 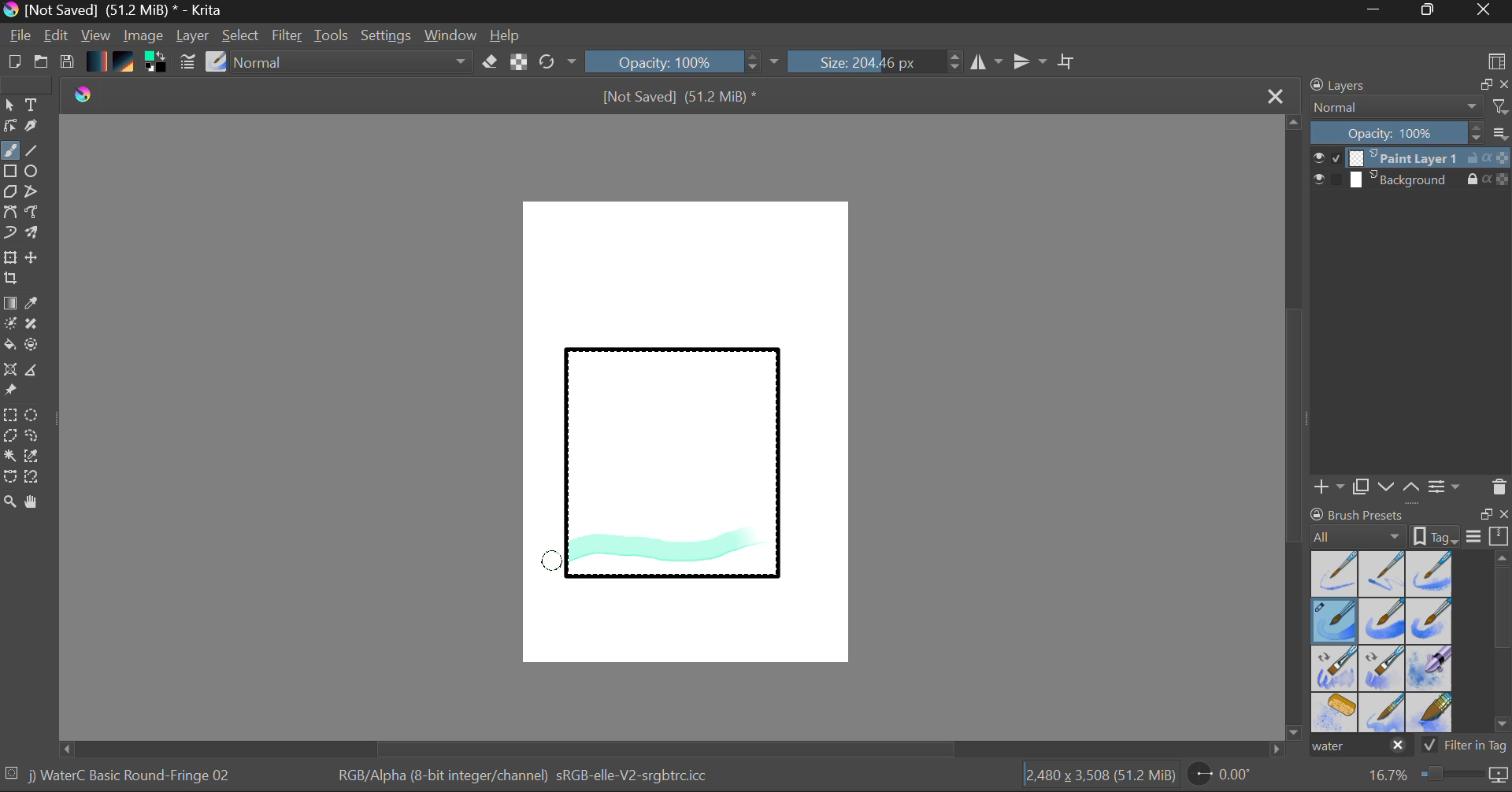 I want to click on View, so click(x=96, y=35).